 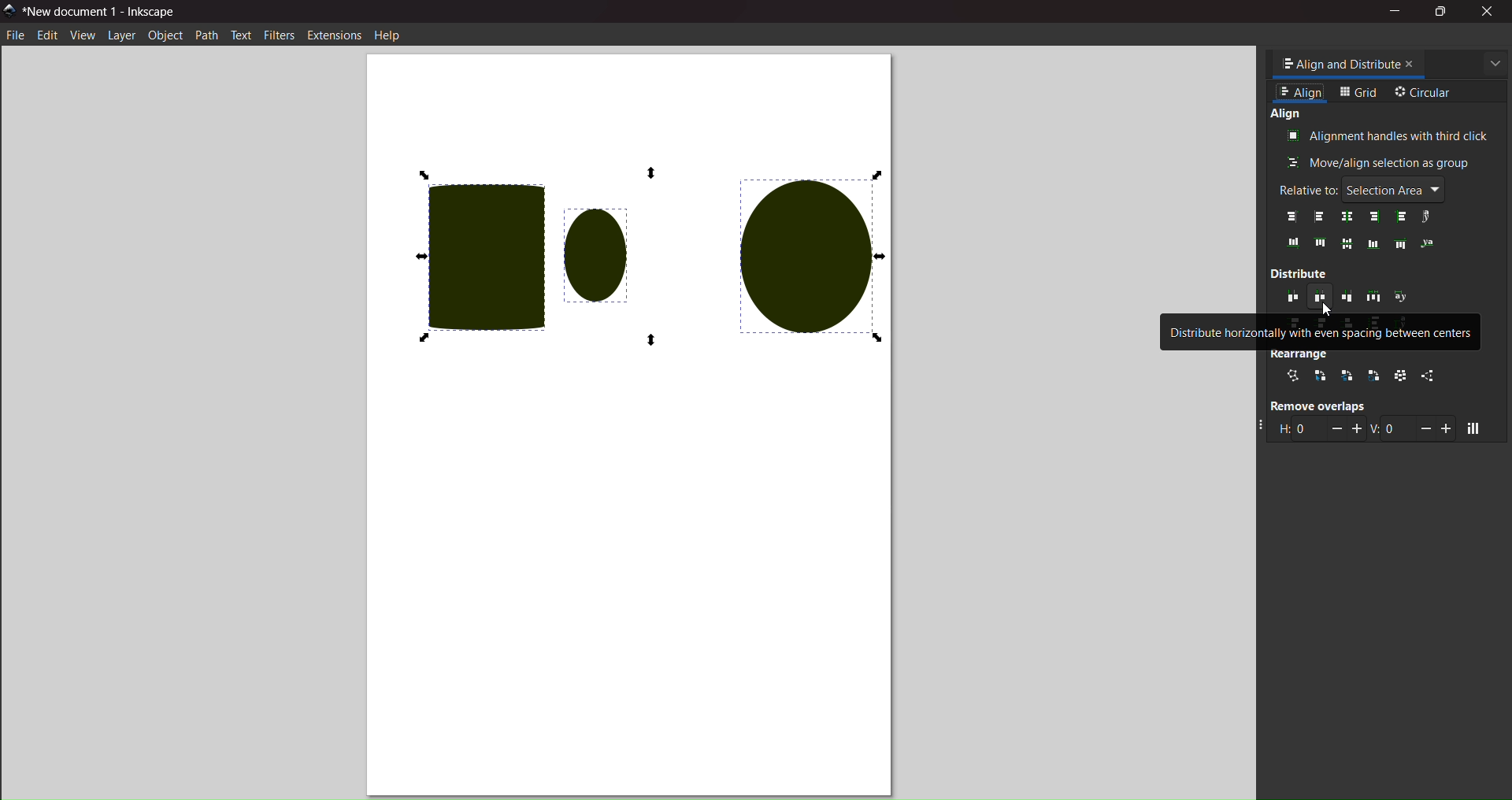 What do you see at coordinates (46, 36) in the screenshot?
I see `edit` at bounding box center [46, 36].